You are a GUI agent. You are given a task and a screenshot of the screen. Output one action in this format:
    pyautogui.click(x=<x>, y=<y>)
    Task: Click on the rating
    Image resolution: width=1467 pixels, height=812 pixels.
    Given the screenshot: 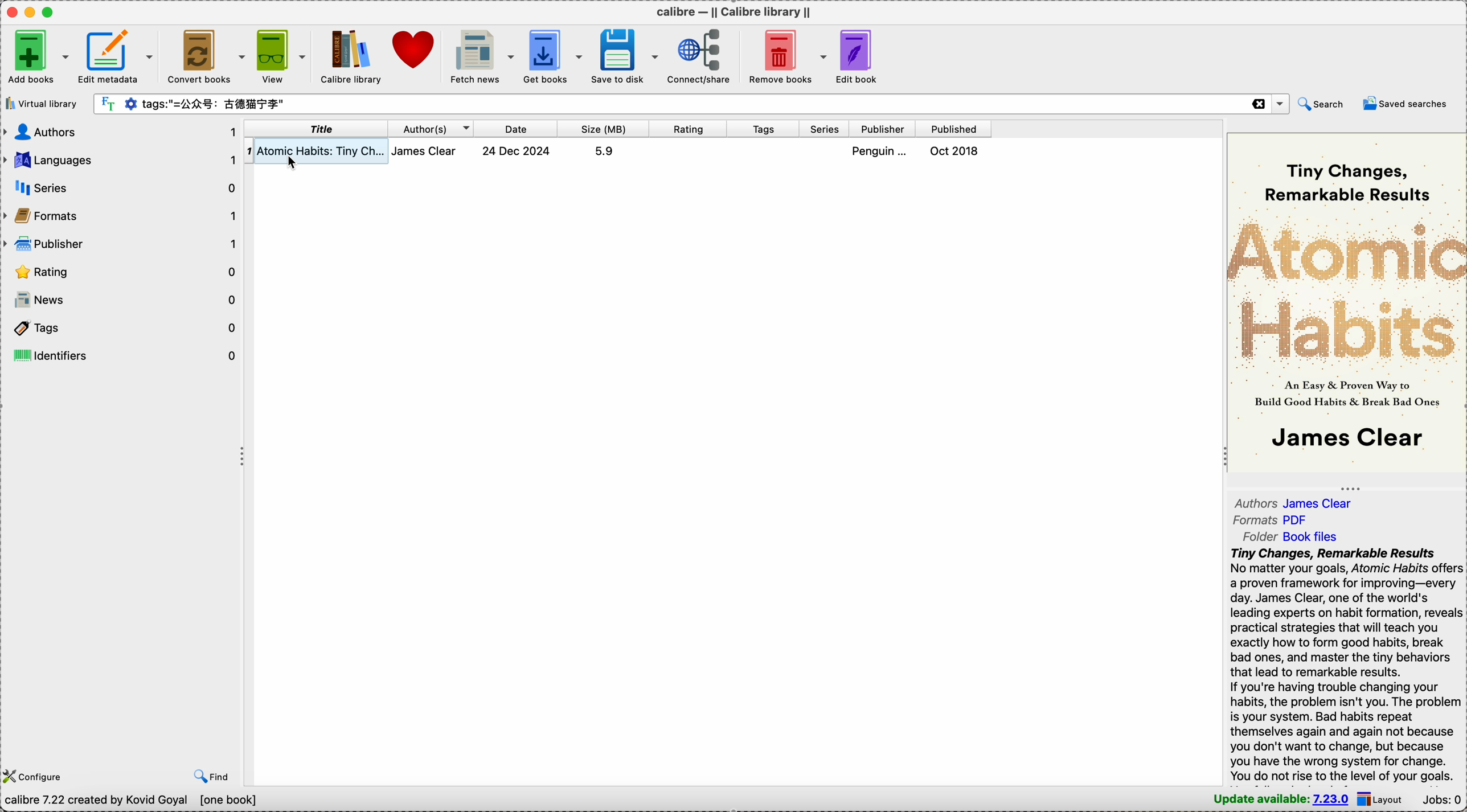 What is the action you would take?
    pyautogui.click(x=122, y=270)
    